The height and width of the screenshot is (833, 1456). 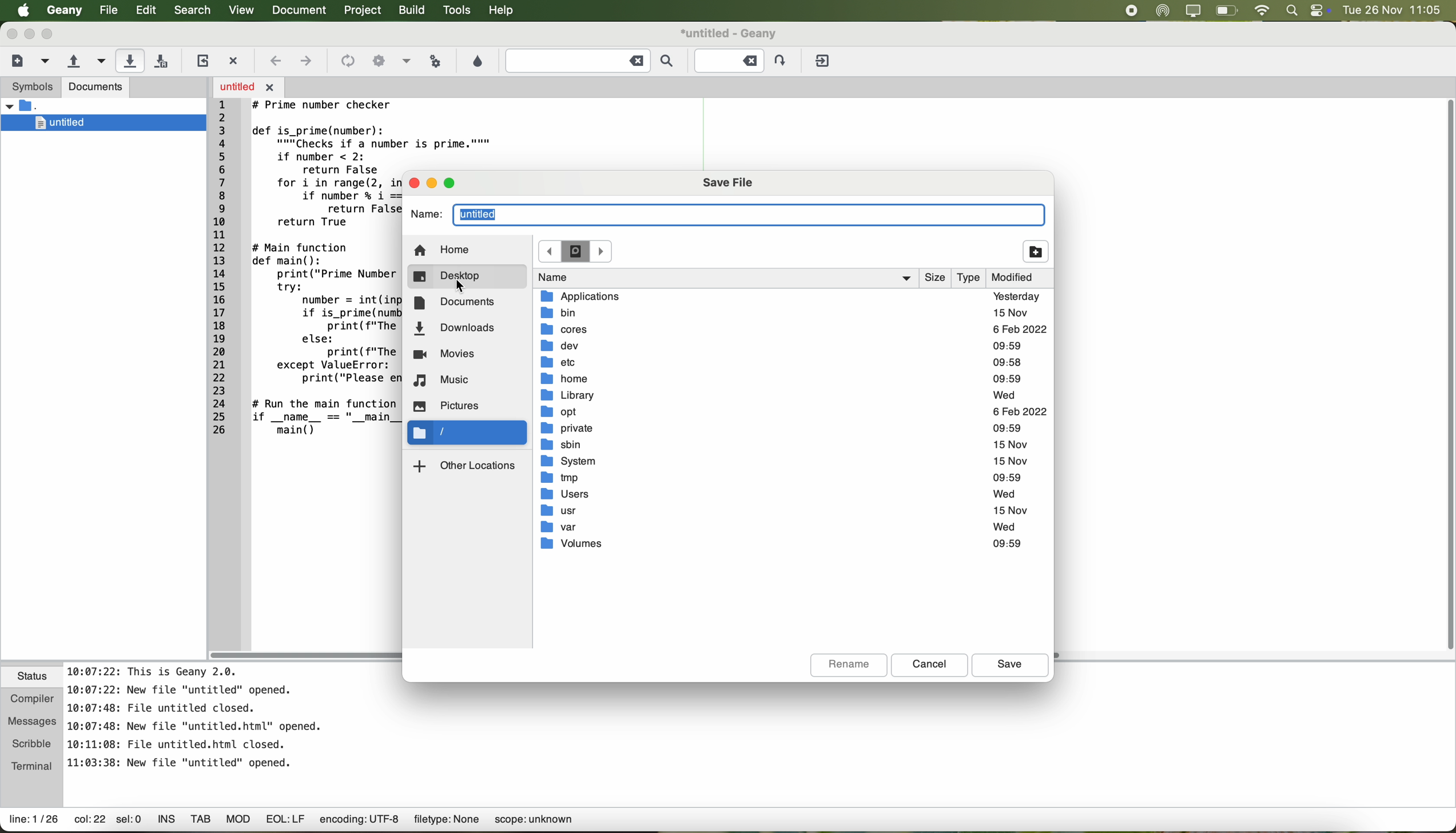 I want to click on cancel button, so click(x=930, y=665).